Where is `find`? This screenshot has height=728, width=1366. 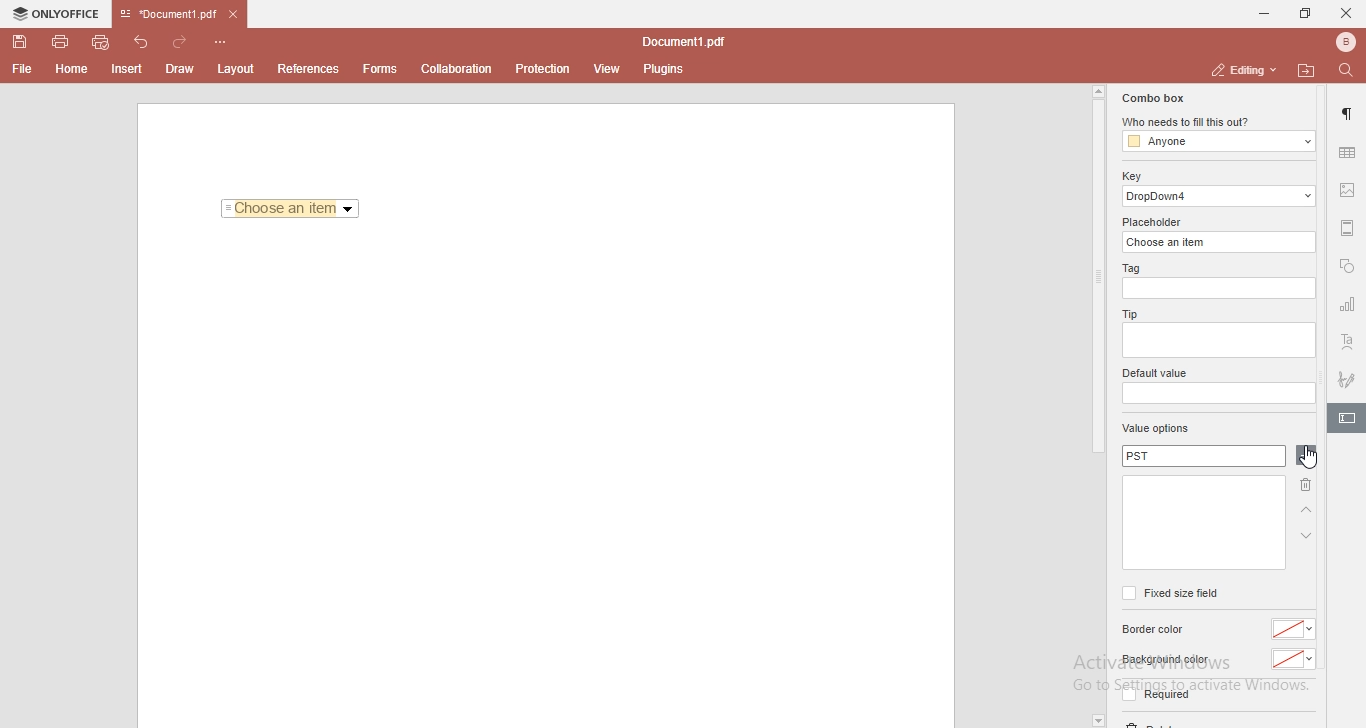 find is located at coordinates (1350, 69).